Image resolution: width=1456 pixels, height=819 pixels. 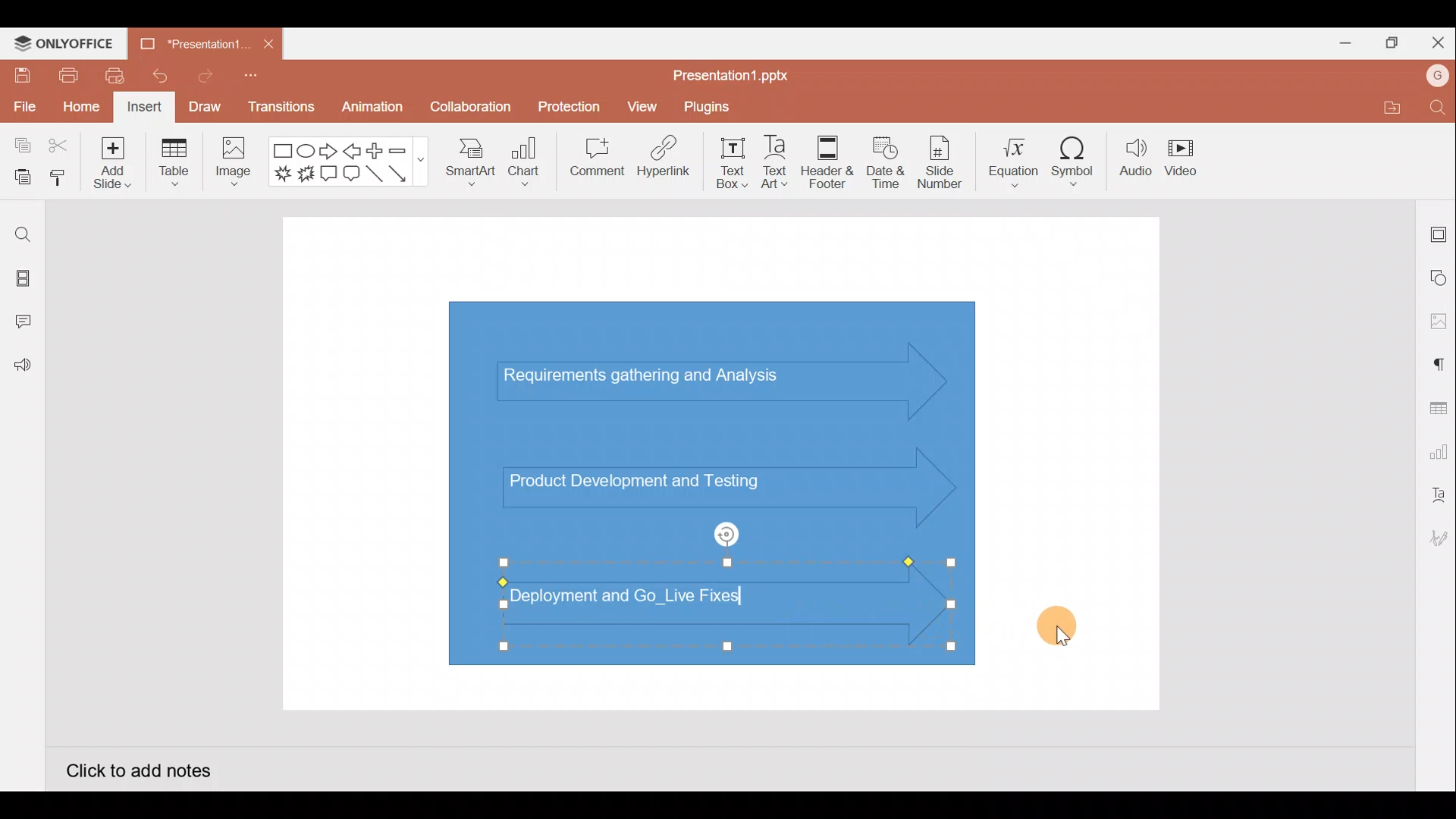 I want to click on Draw, so click(x=204, y=106).